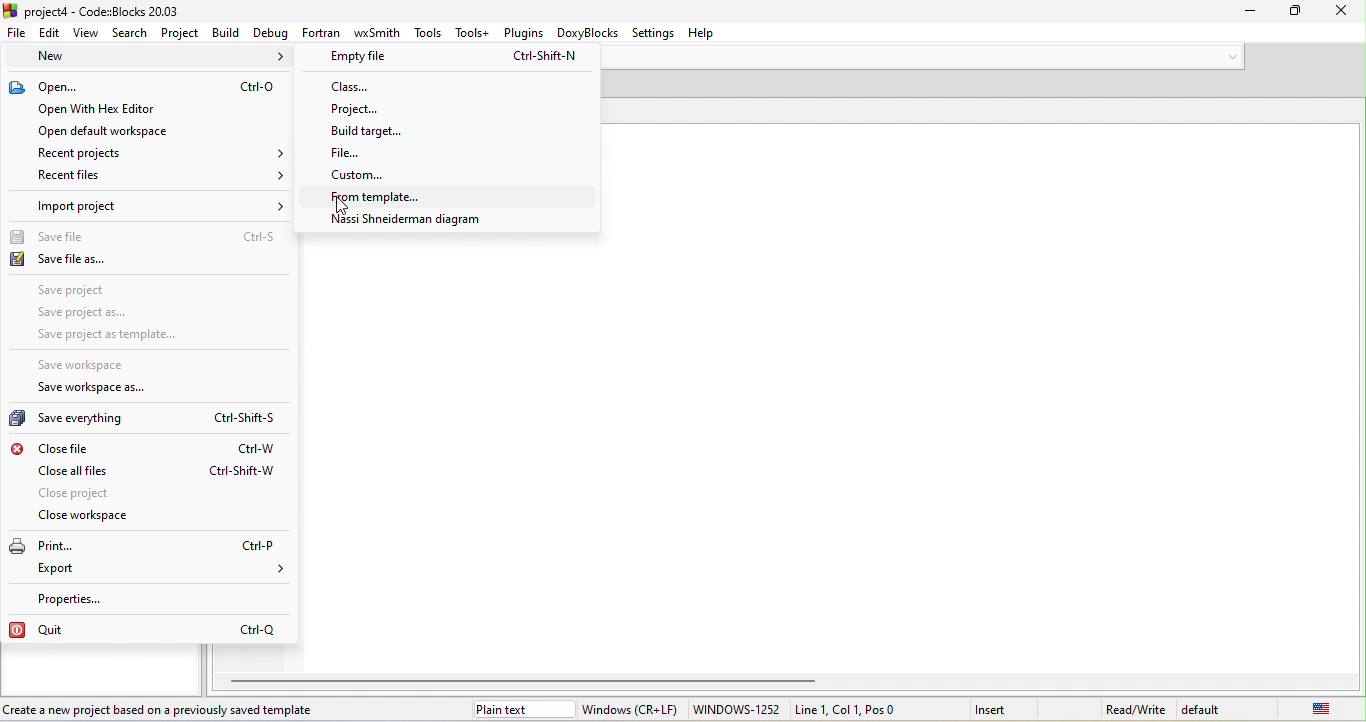  I want to click on close file, so click(150, 449).